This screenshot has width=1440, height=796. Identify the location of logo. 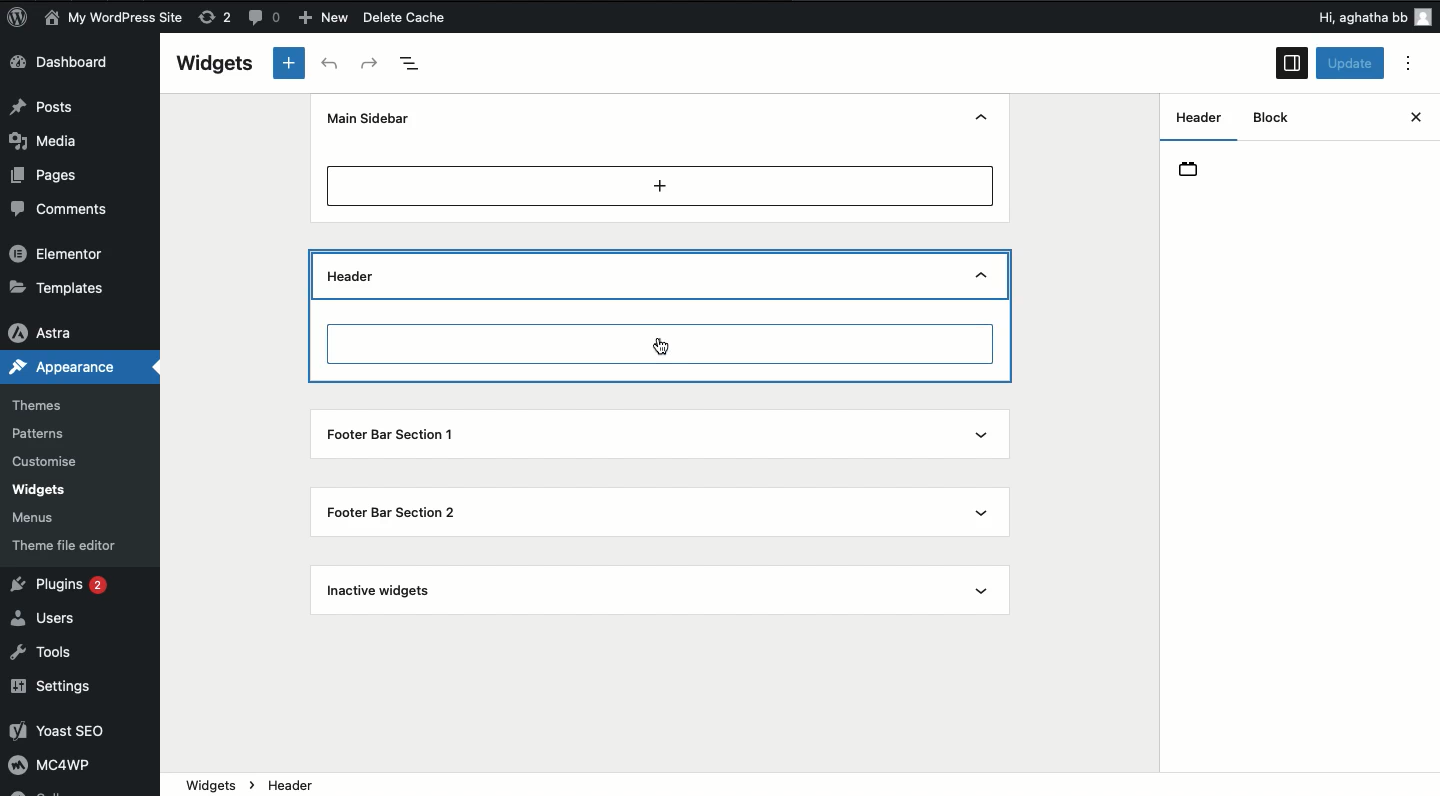
(15, 15).